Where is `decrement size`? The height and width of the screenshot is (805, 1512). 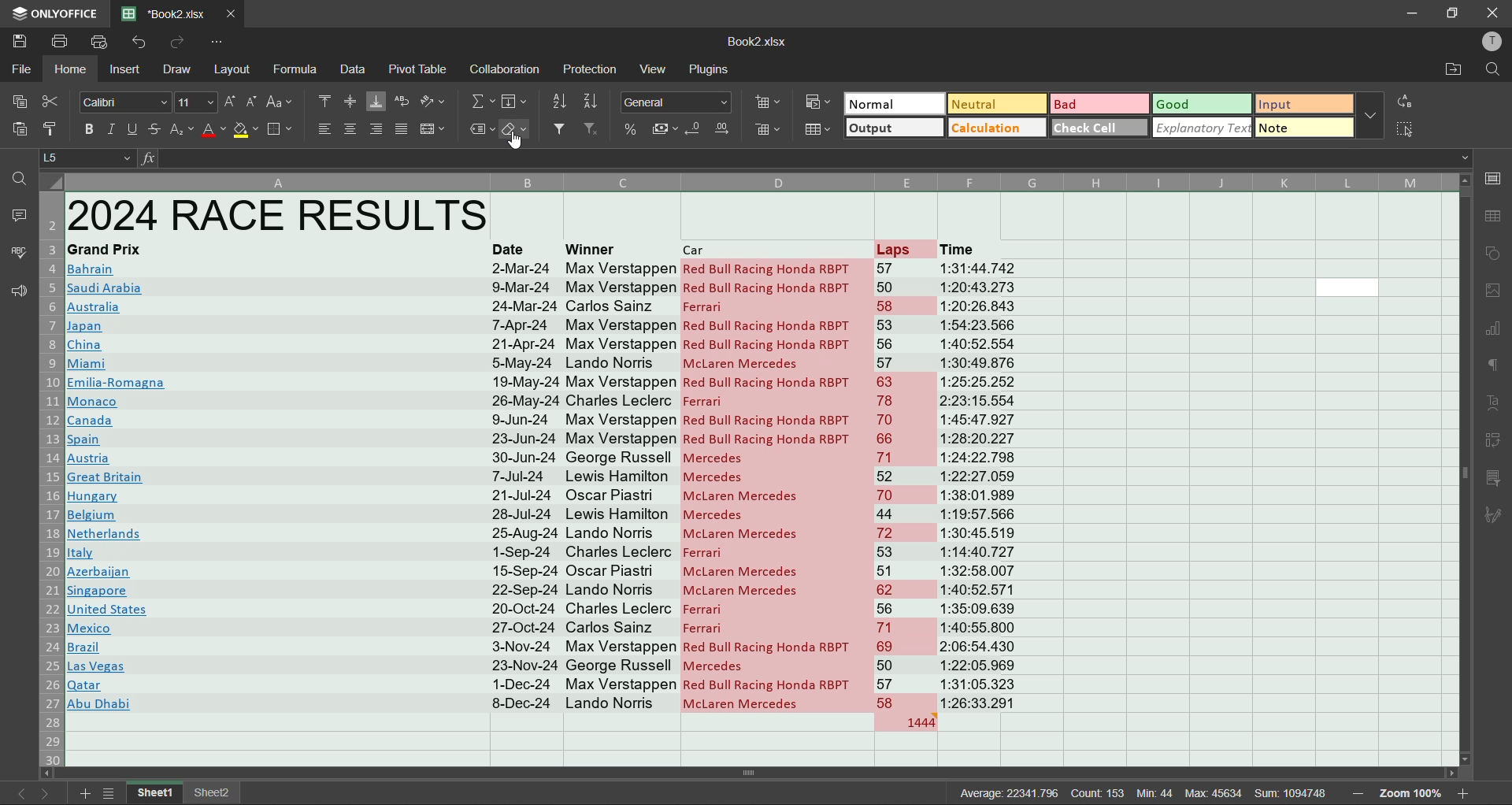
decrement size is located at coordinates (250, 102).